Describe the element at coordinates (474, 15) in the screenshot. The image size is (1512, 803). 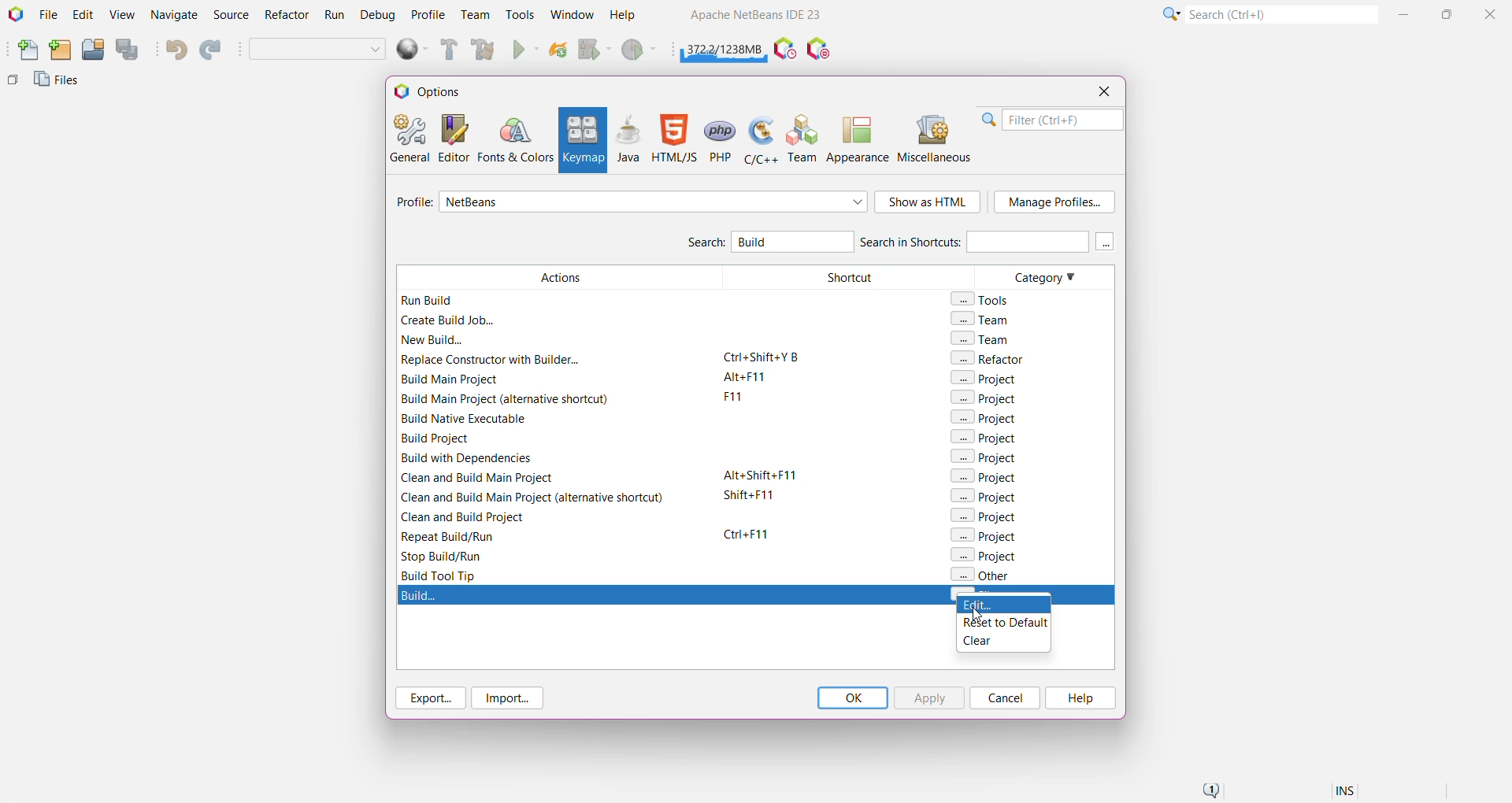
I see `Team` at that location.